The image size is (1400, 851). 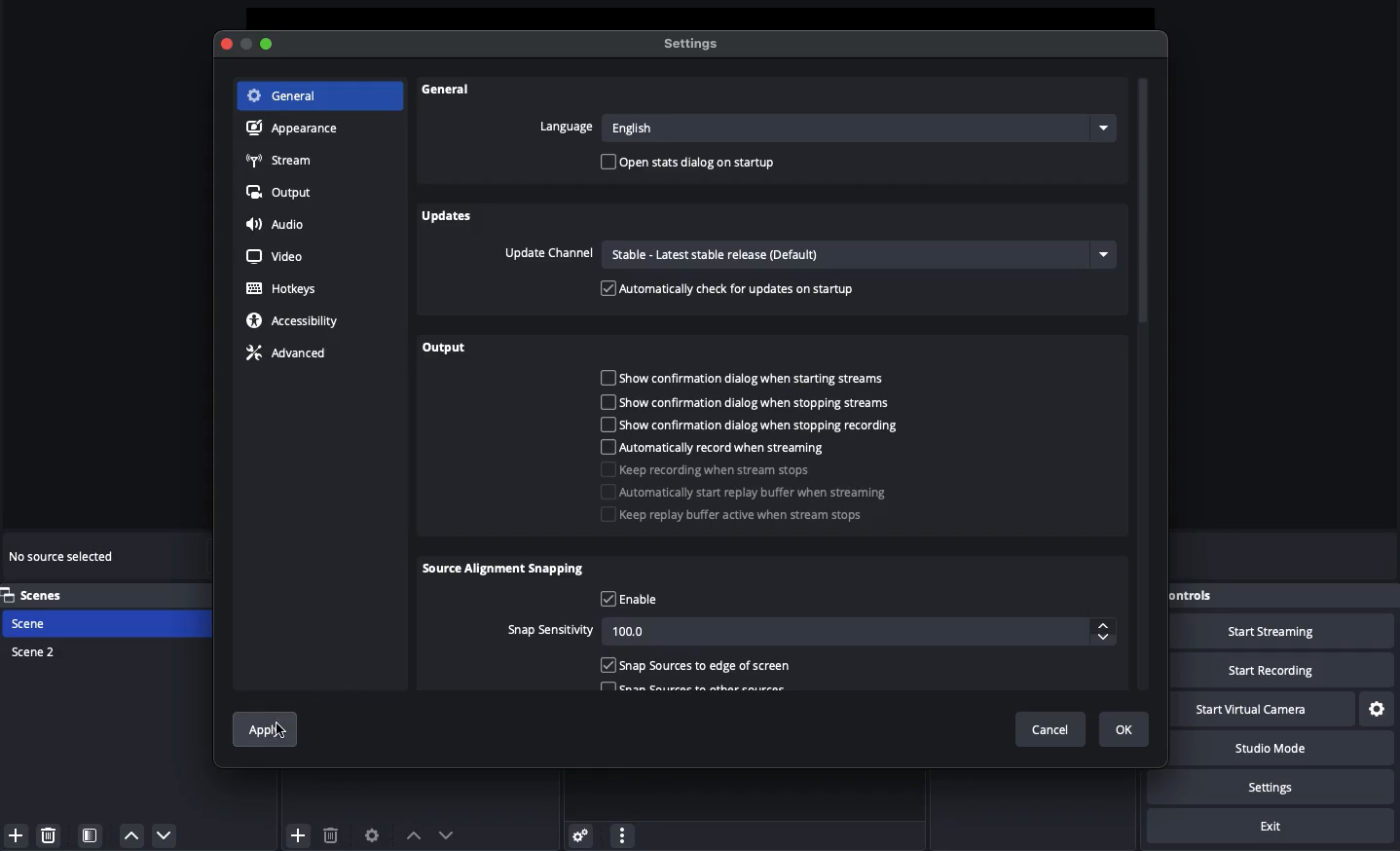 I want to click on Start streaming, so click(x=1286, y=631).